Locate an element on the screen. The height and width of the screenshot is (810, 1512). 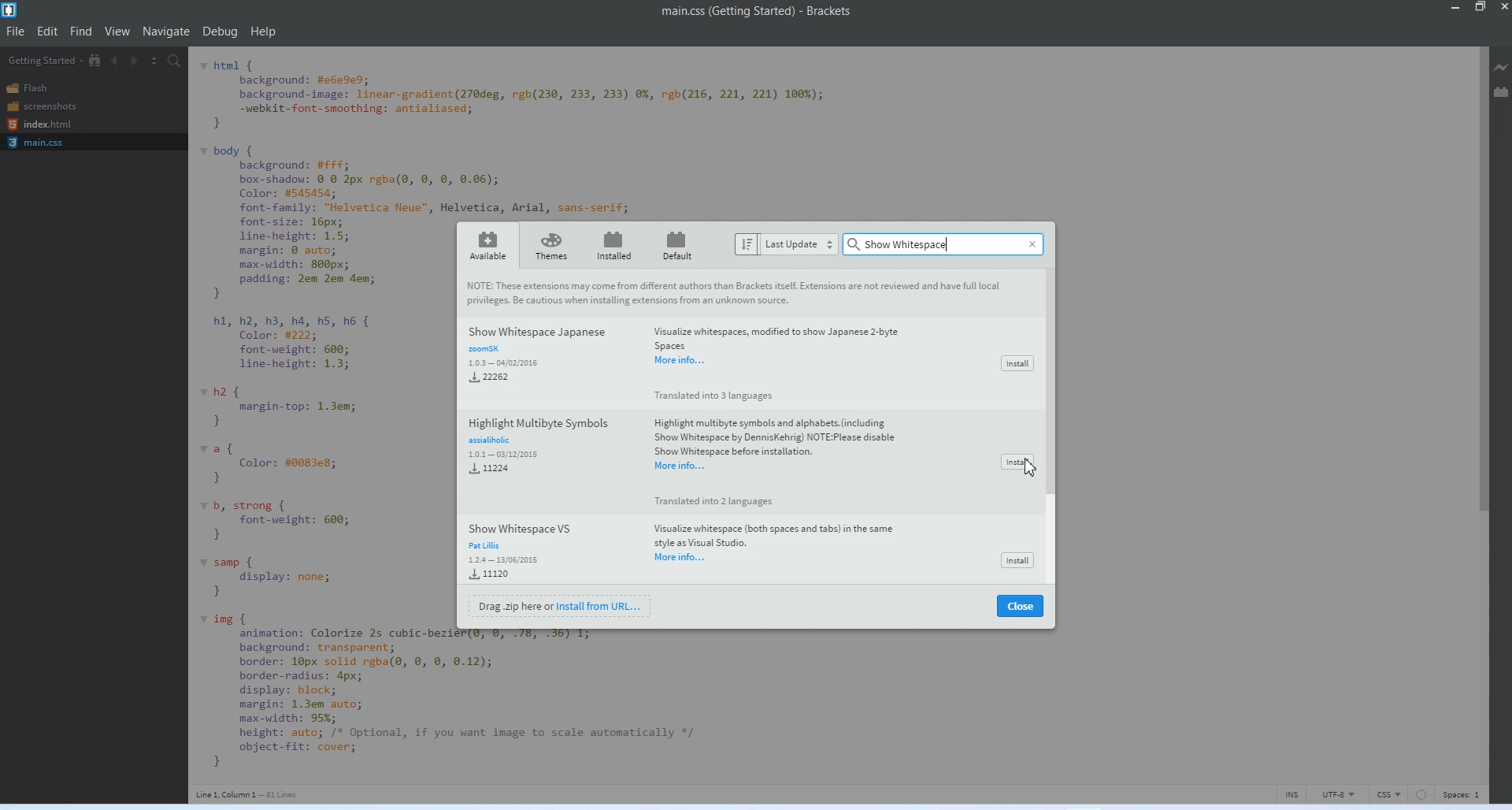
Themes is located at coordinates (550, 245).